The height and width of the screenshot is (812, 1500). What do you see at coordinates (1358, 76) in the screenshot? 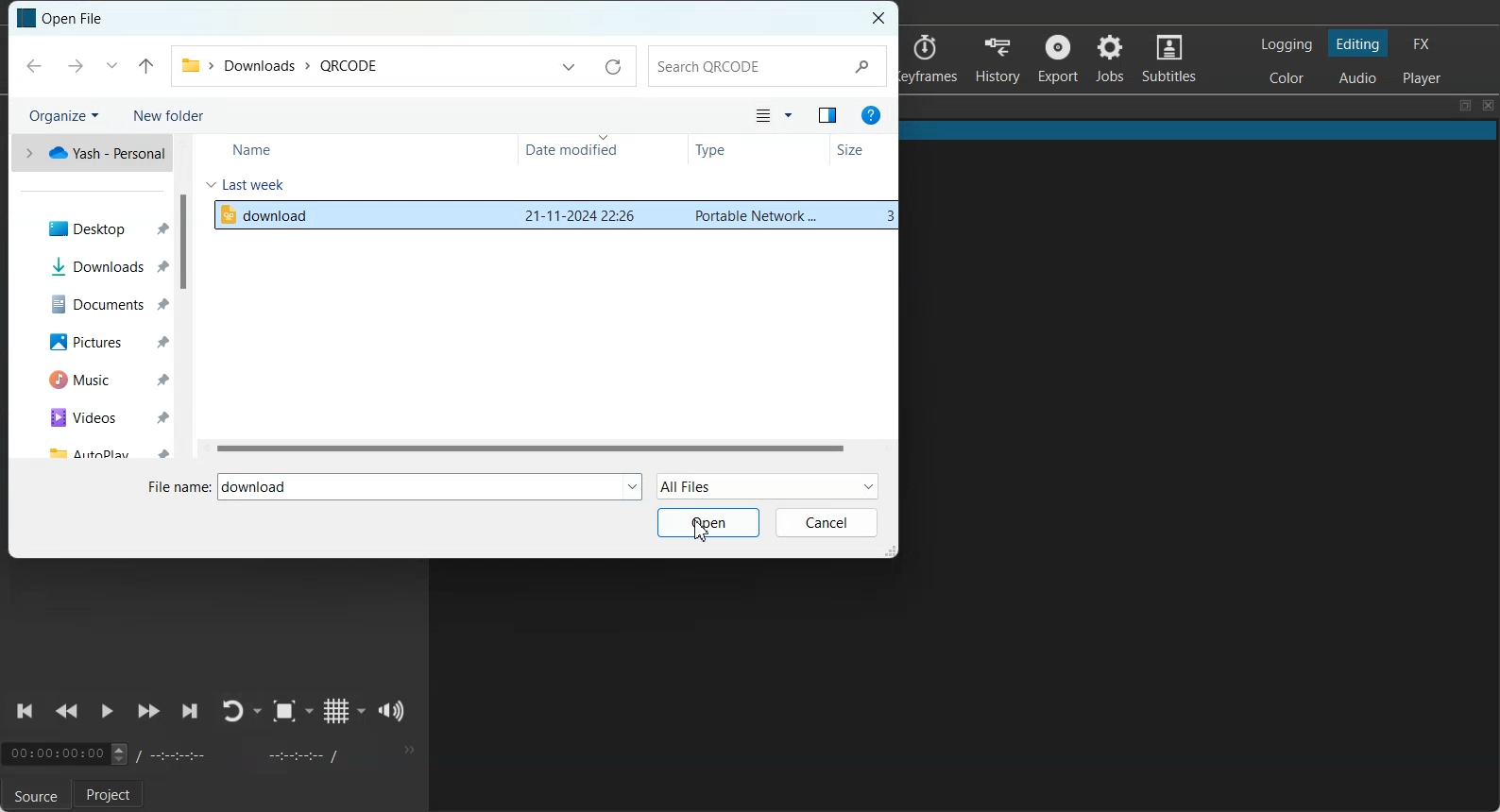
I see `Switching to Audio Layout` at bounding box center [1358, 76].